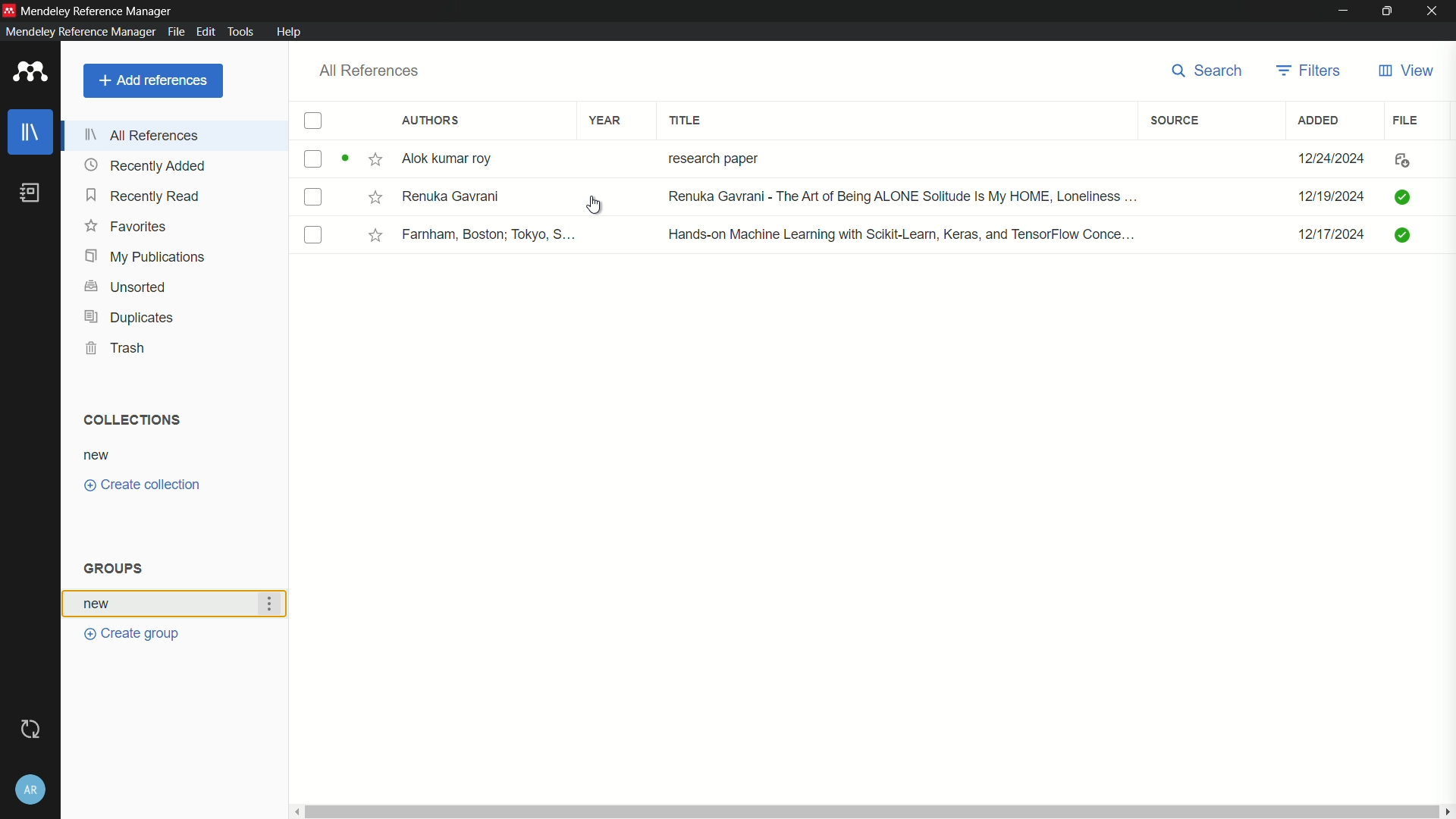 The image size is (1456, 819). What do you see at coordinates (1404, 71) in the screenshot?
I see `view` at bounding box center [1404, 71].